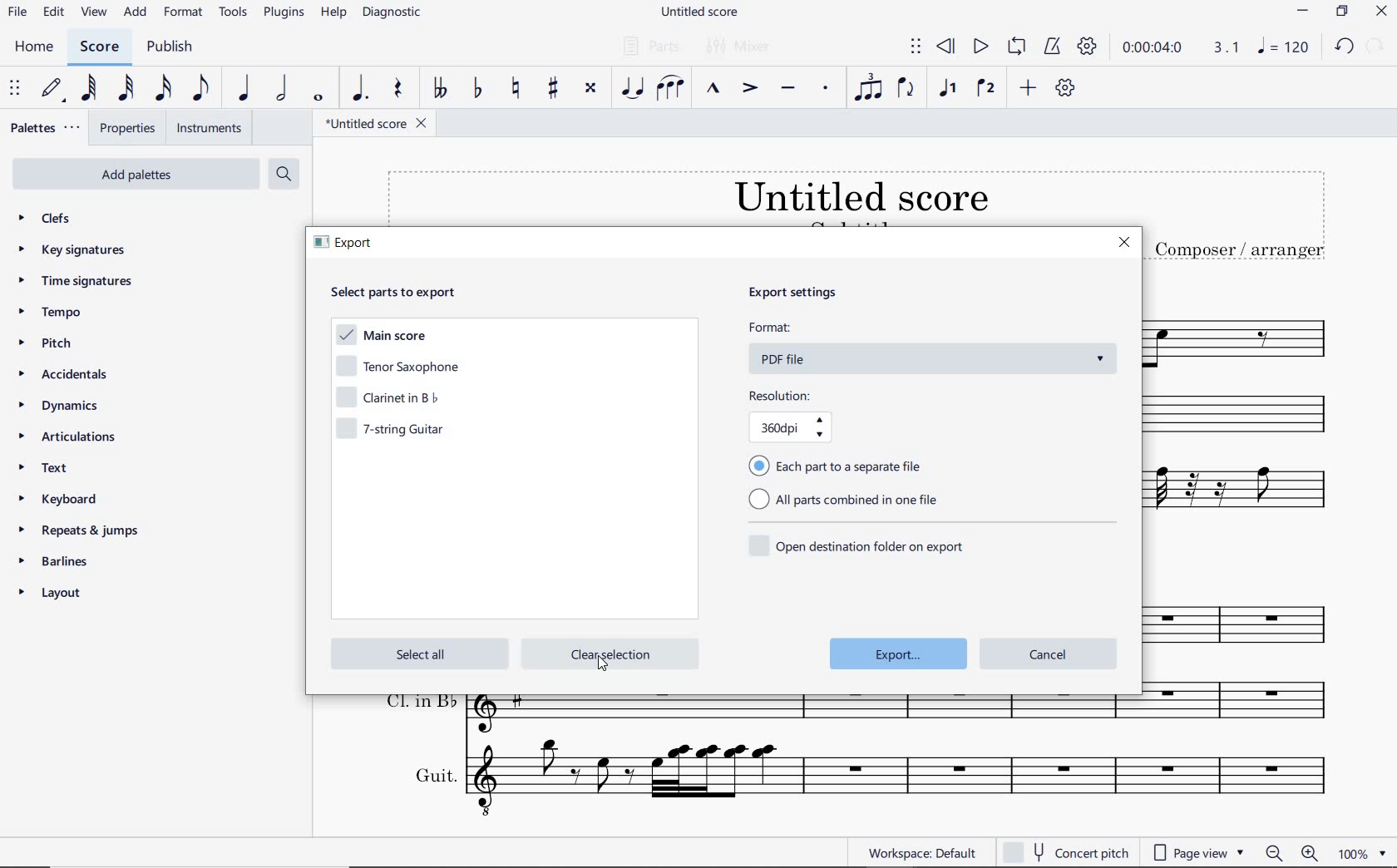 The height and width of the screenshot is (868, 1397). Describe the element at coordinates (99, 47) in the screenshot. I see `SCORE` at that location.